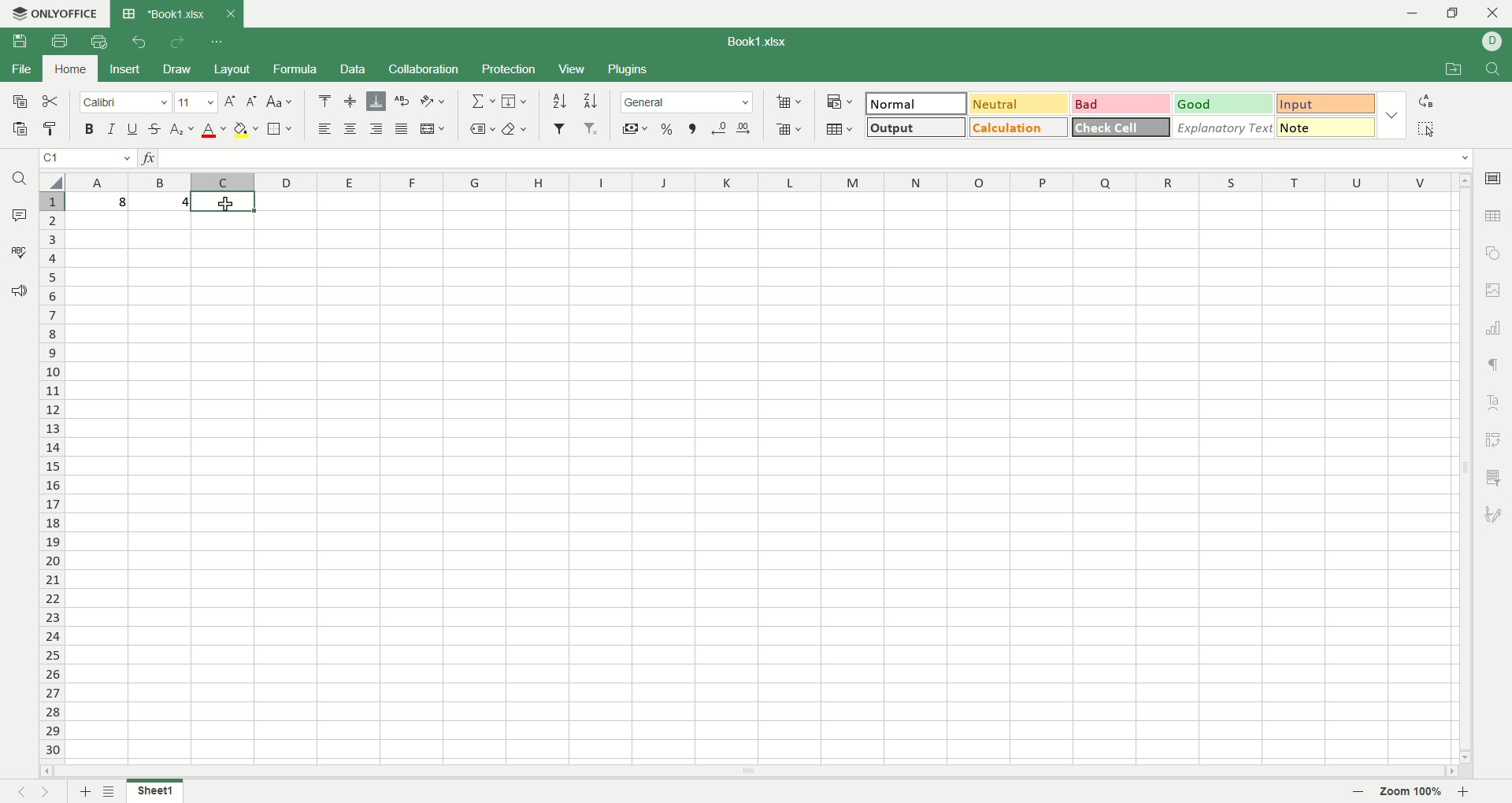  Describe the element at coordinates (251, 102) in the screenshot. I see `decrease font size` at that location.